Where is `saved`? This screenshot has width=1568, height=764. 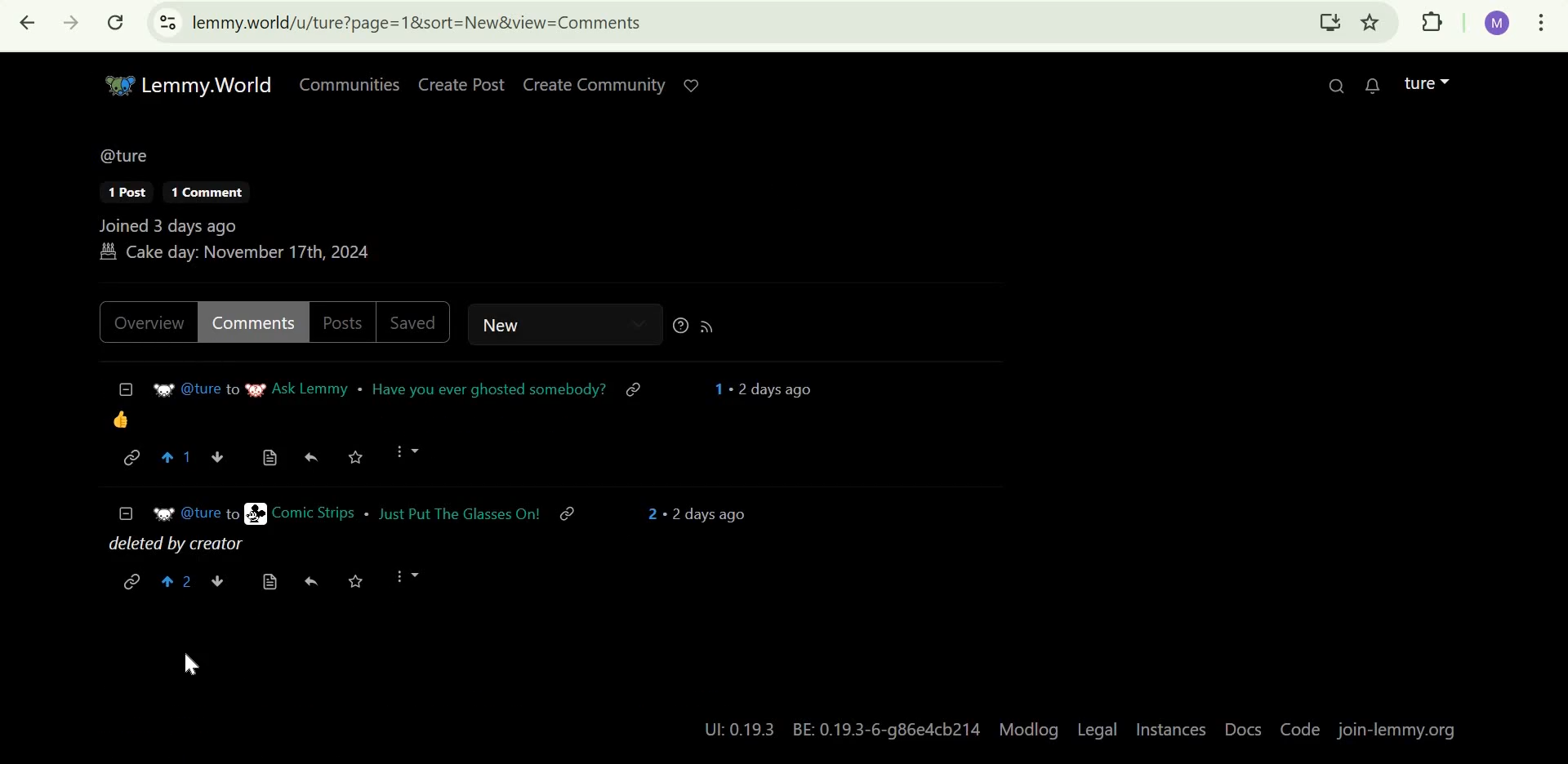
saved is located at coordinates (417, 323).